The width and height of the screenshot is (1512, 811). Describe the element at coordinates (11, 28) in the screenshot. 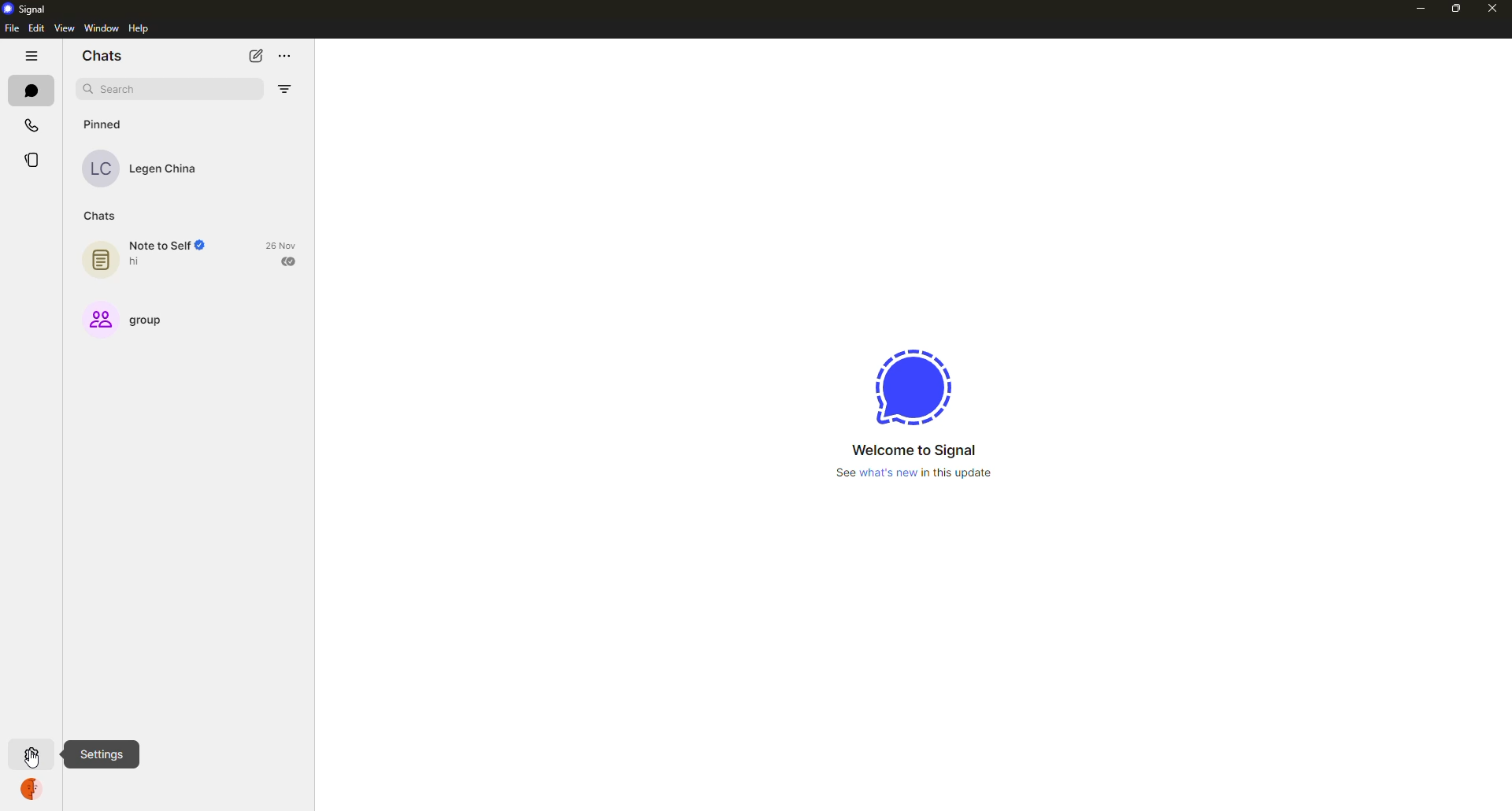

I see `file` at that location.